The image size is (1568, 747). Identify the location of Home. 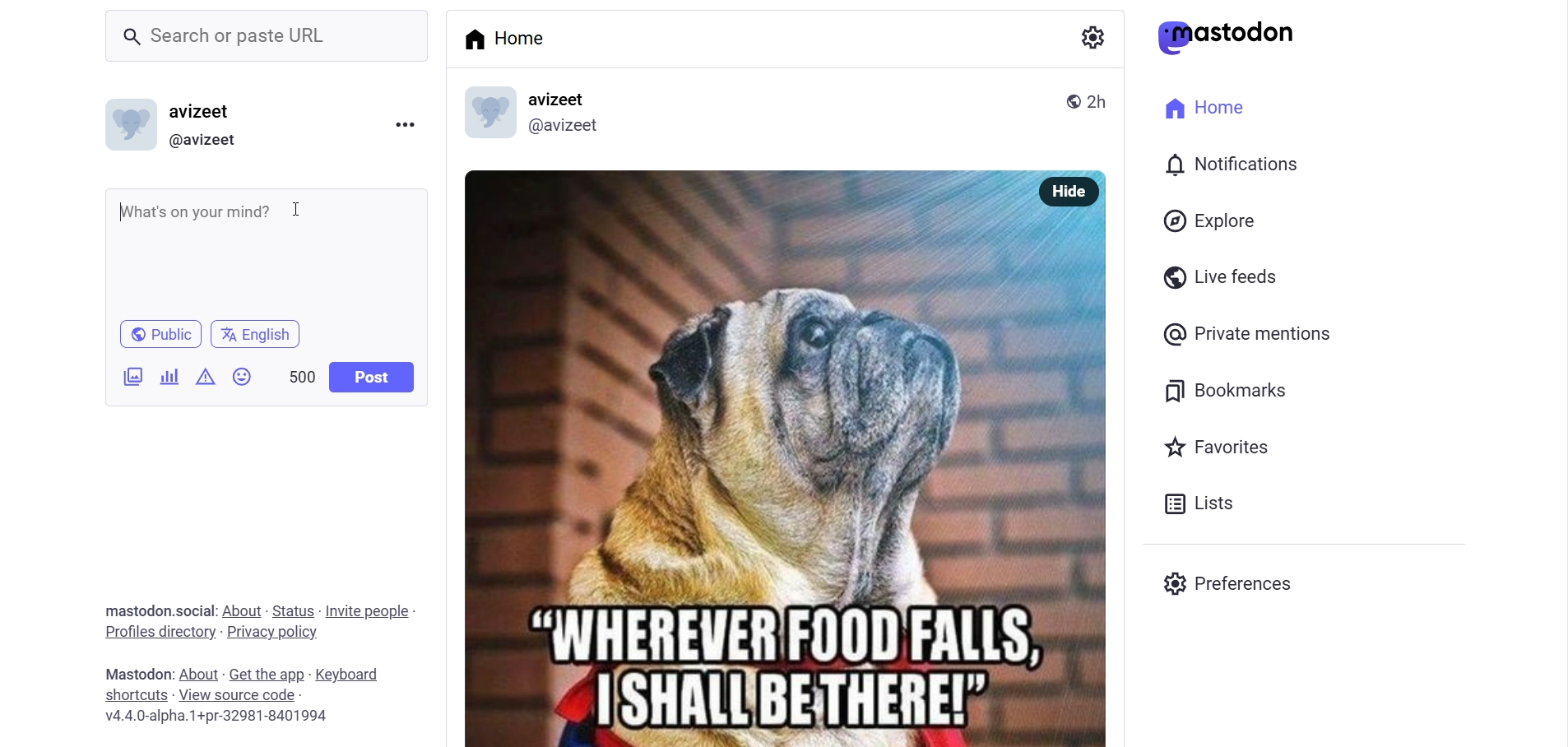
(519, 40).